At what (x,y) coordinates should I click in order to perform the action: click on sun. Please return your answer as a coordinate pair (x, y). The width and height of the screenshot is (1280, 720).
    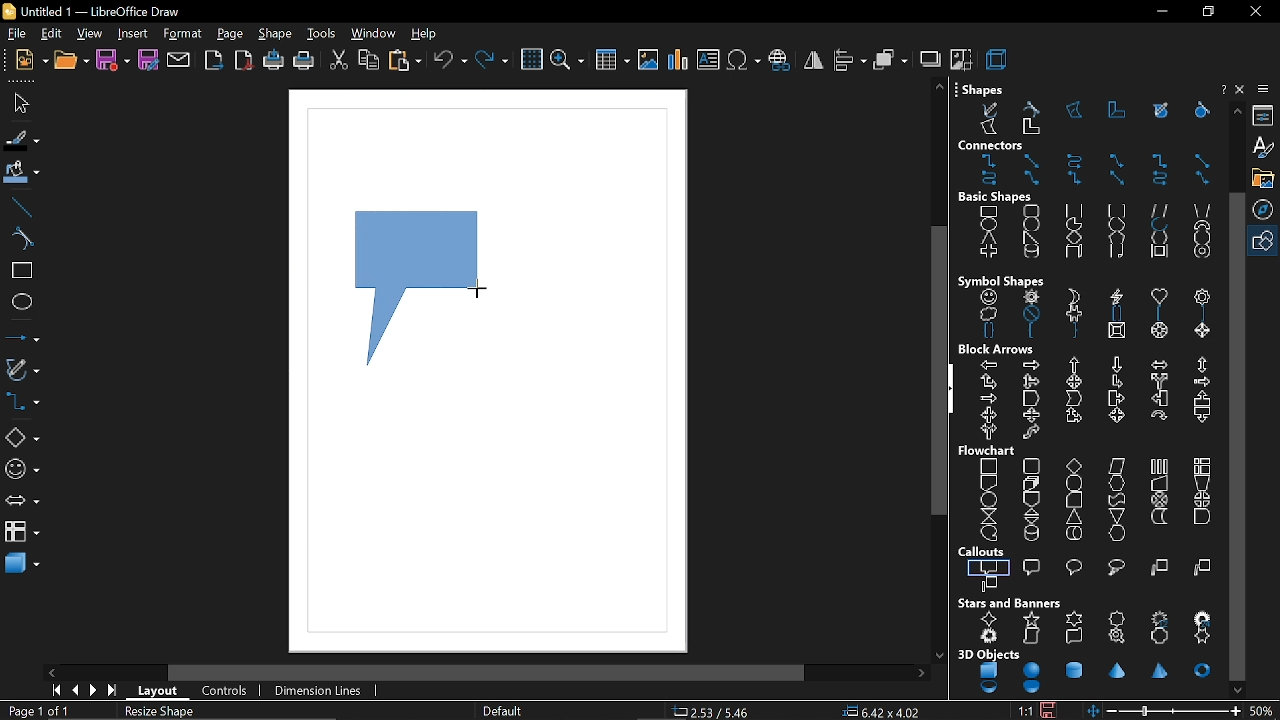
    Looking at the image, I should click on (1032, 297).